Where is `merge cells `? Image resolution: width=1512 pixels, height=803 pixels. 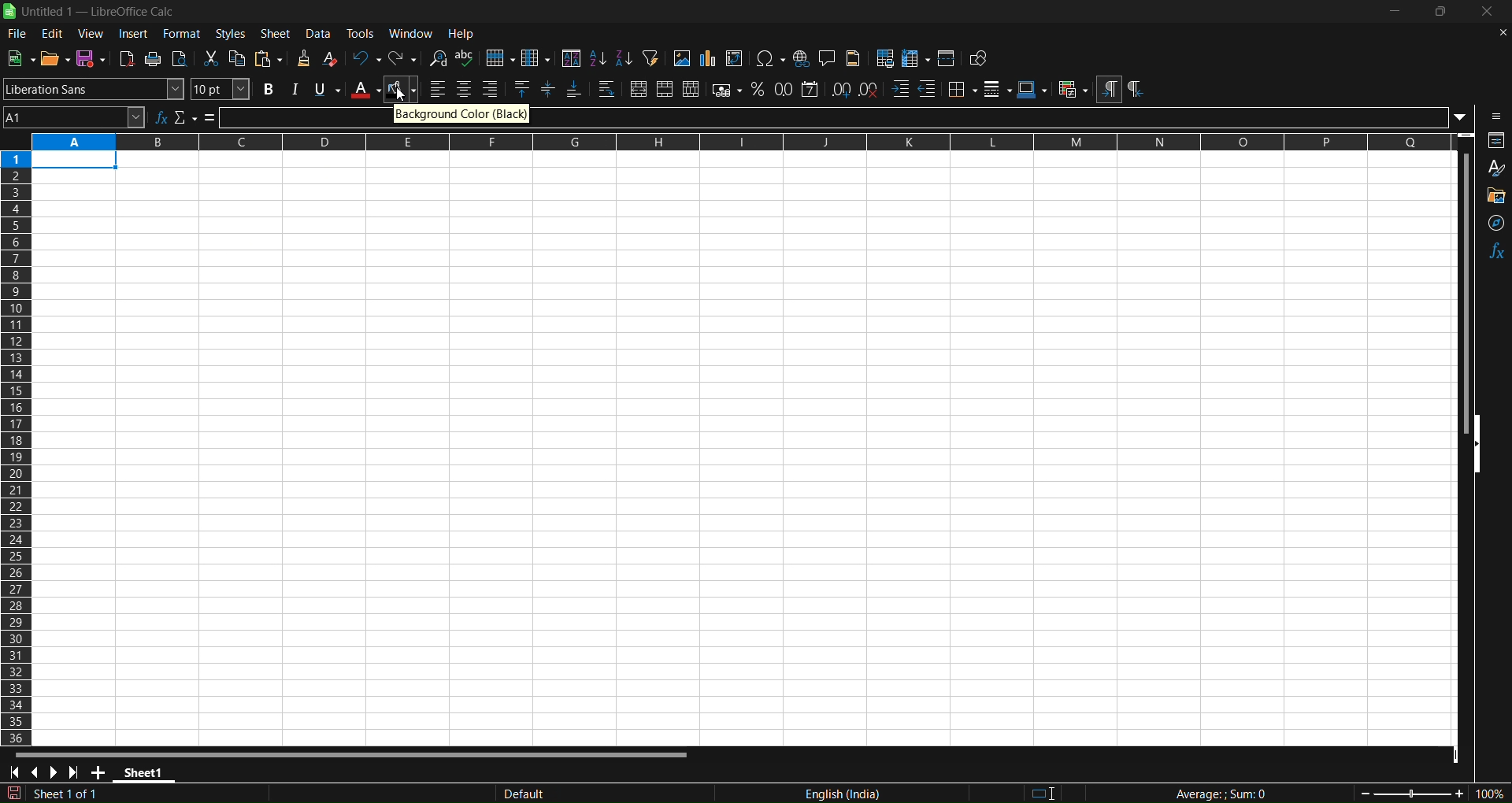 merge cells  is located at coordinates (665, 90).